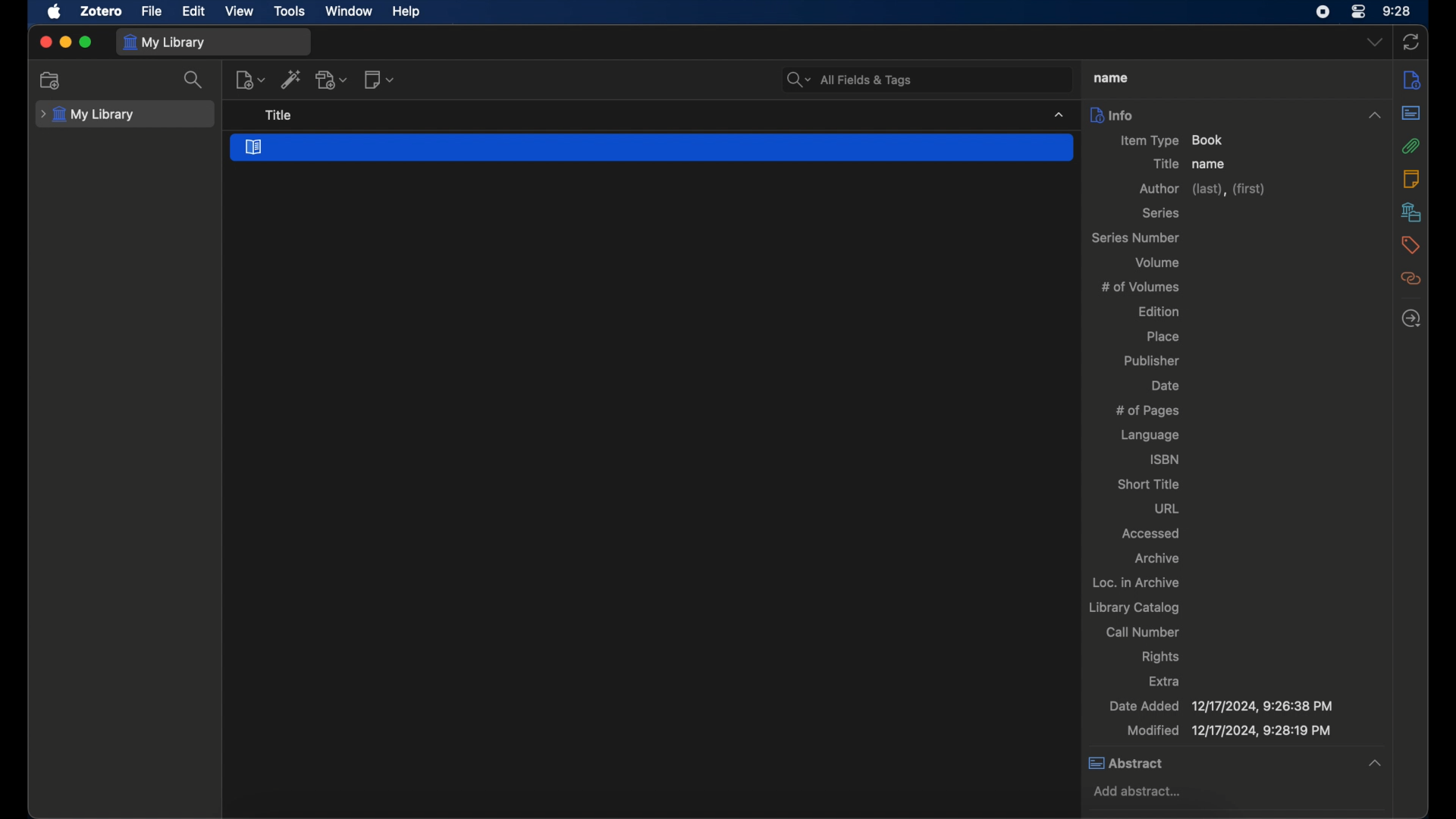 The width and height of the screenshot is (1456, 819). What do you see at coordinates (1410, 212) in the screenshot?
I see `libraries` at bounding box center [1410, 212].